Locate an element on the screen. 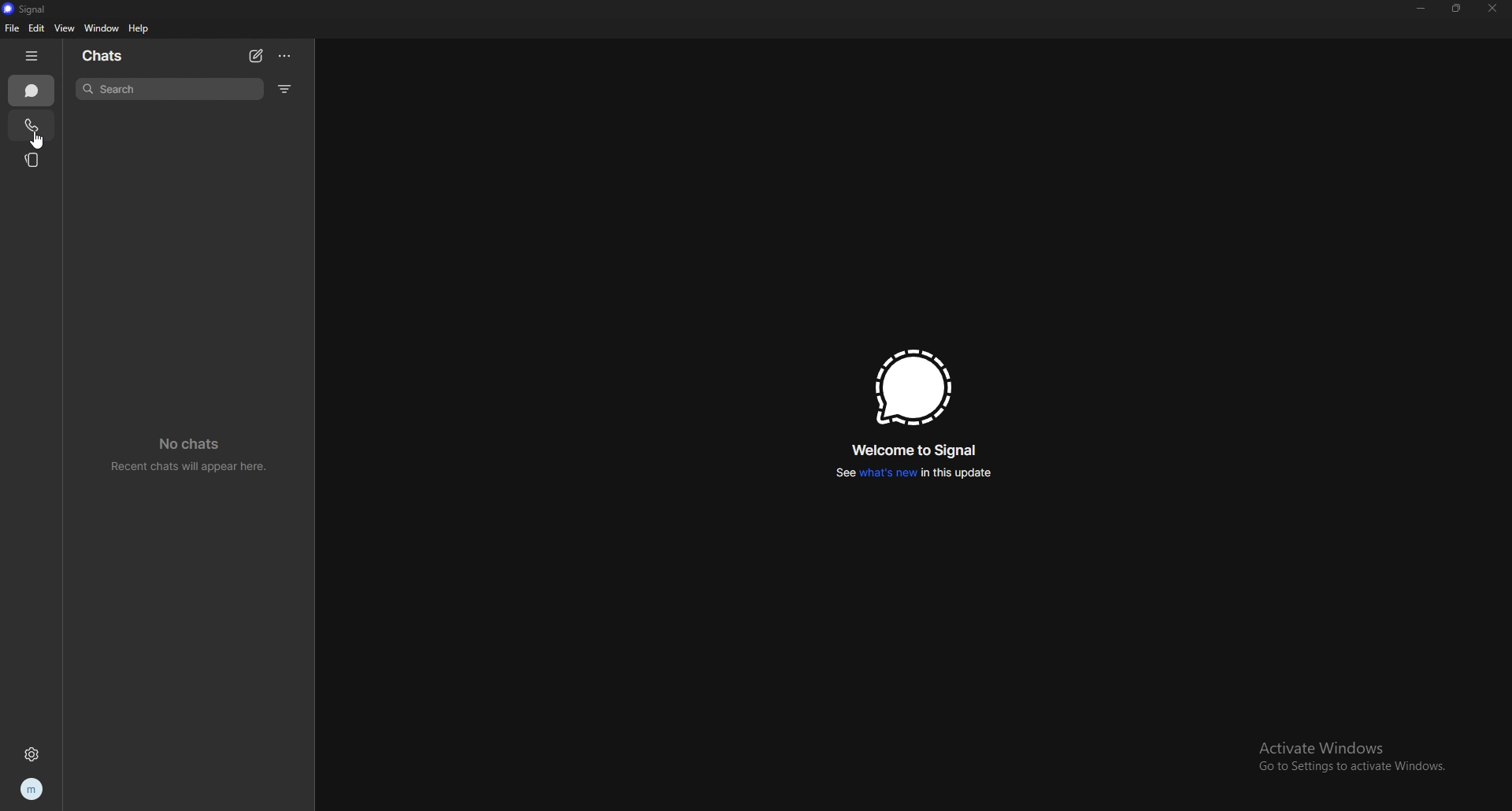  stories is located at coordinates (34, 160).